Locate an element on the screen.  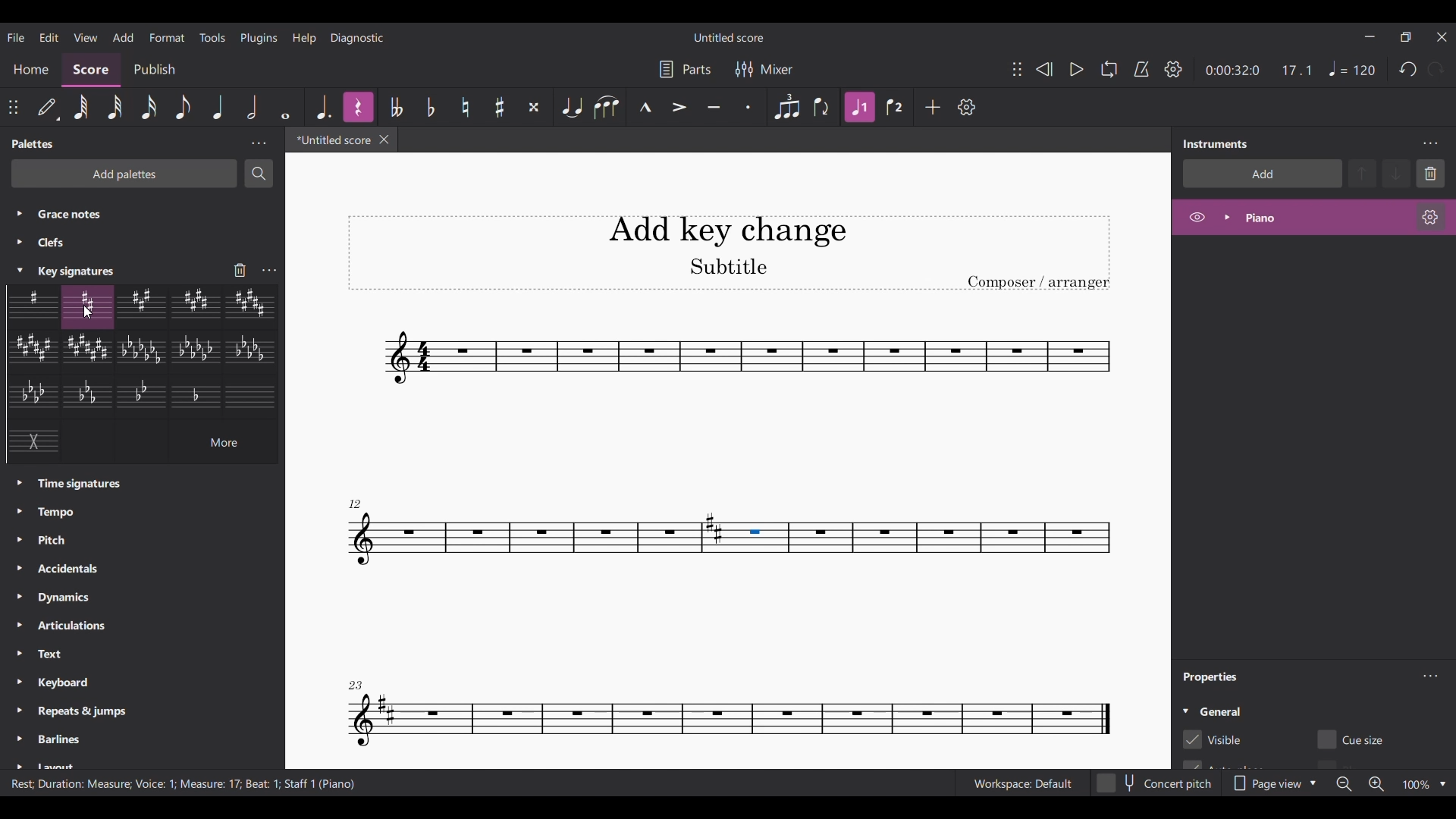
Hide piano is located at coordinates (1197, 217).